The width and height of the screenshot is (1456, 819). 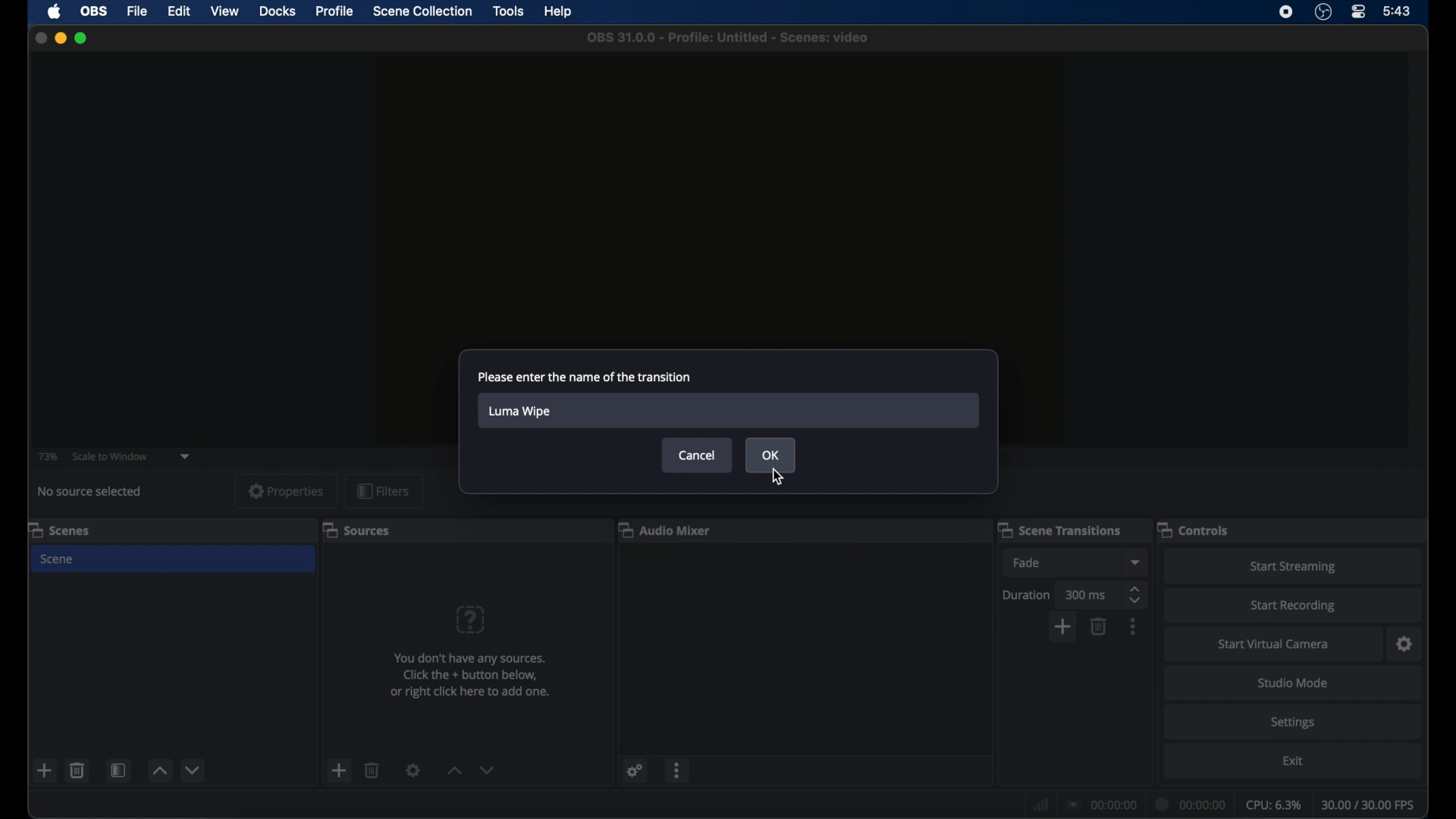 I want to click on scale to window, so click(x=110, y=455).